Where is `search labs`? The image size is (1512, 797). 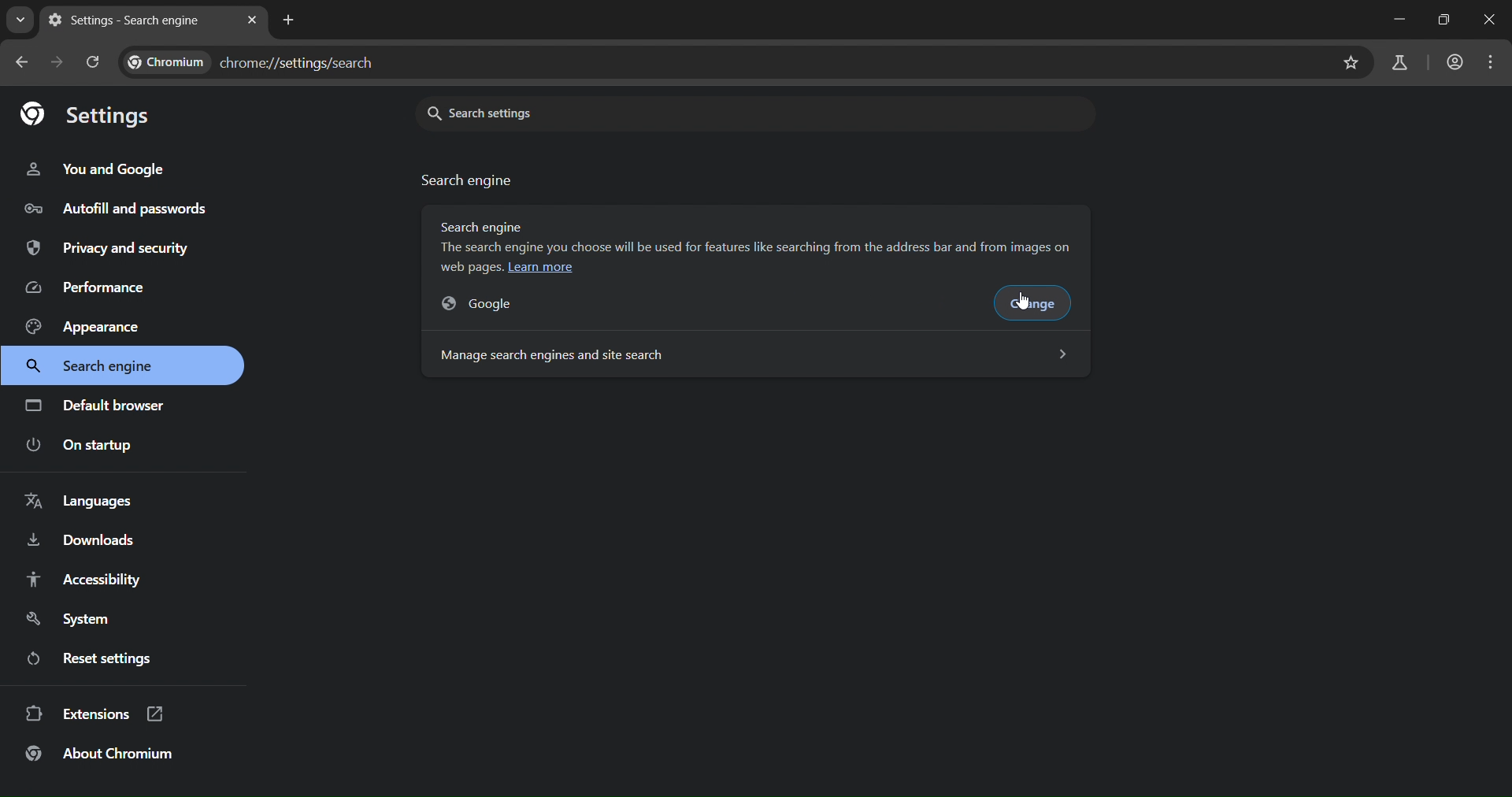 search labs is located at coordinates (1403, 63).